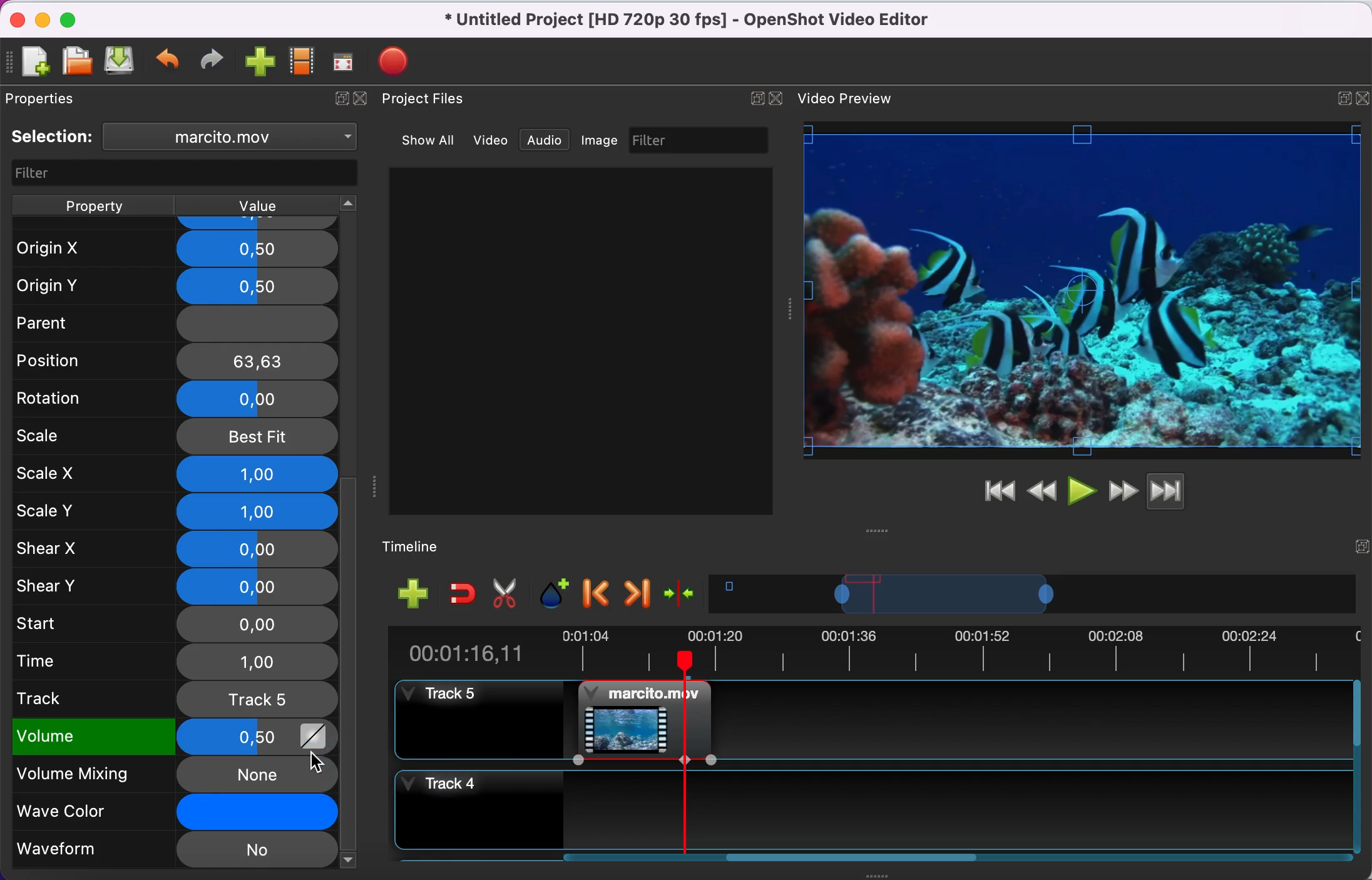 The width and height of the screenshot is (1372, 880). I want to click on minimize, so click(42, 19).